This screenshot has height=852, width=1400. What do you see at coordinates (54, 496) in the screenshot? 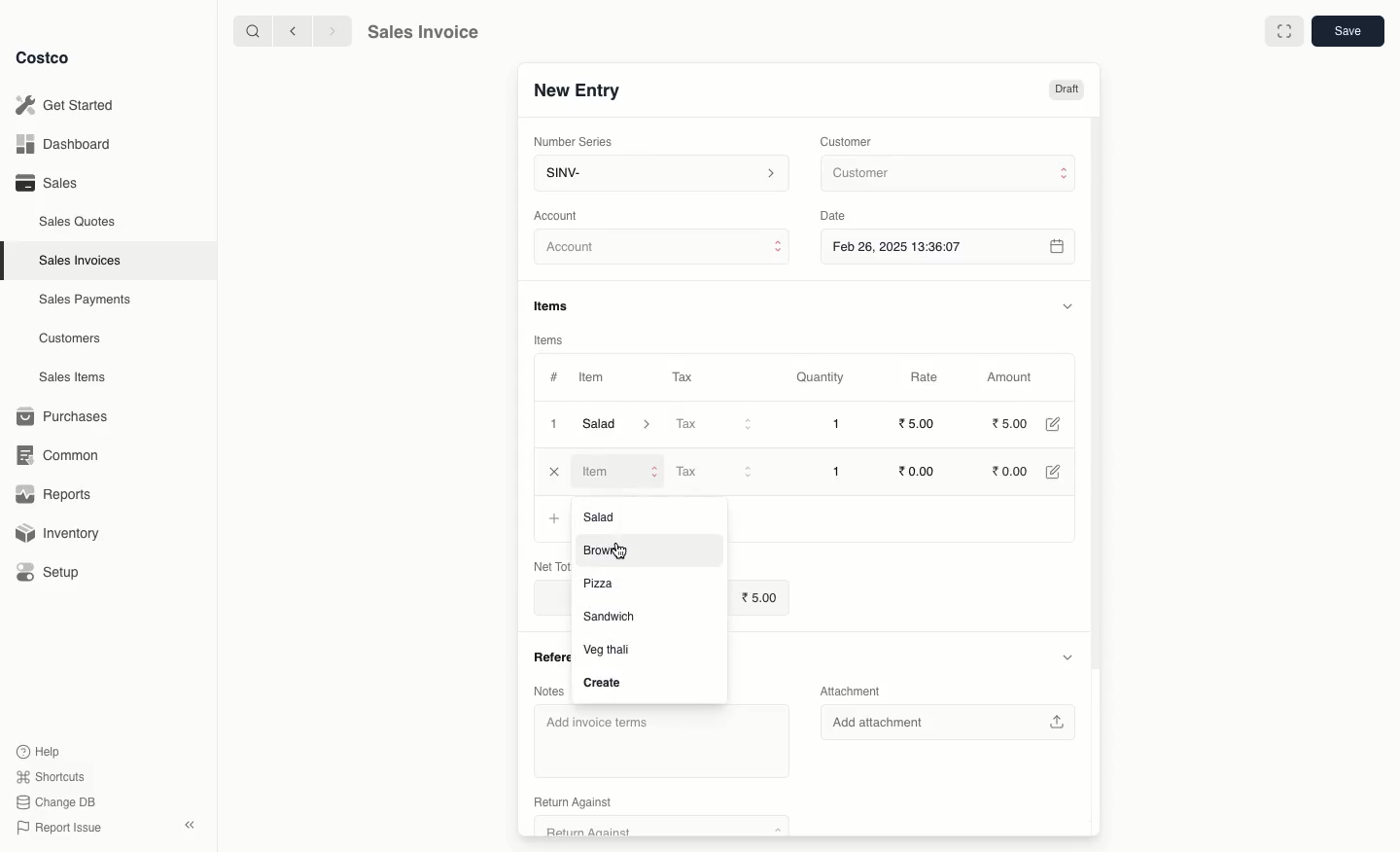
I see `Reports` at bounding box center [54, 496].